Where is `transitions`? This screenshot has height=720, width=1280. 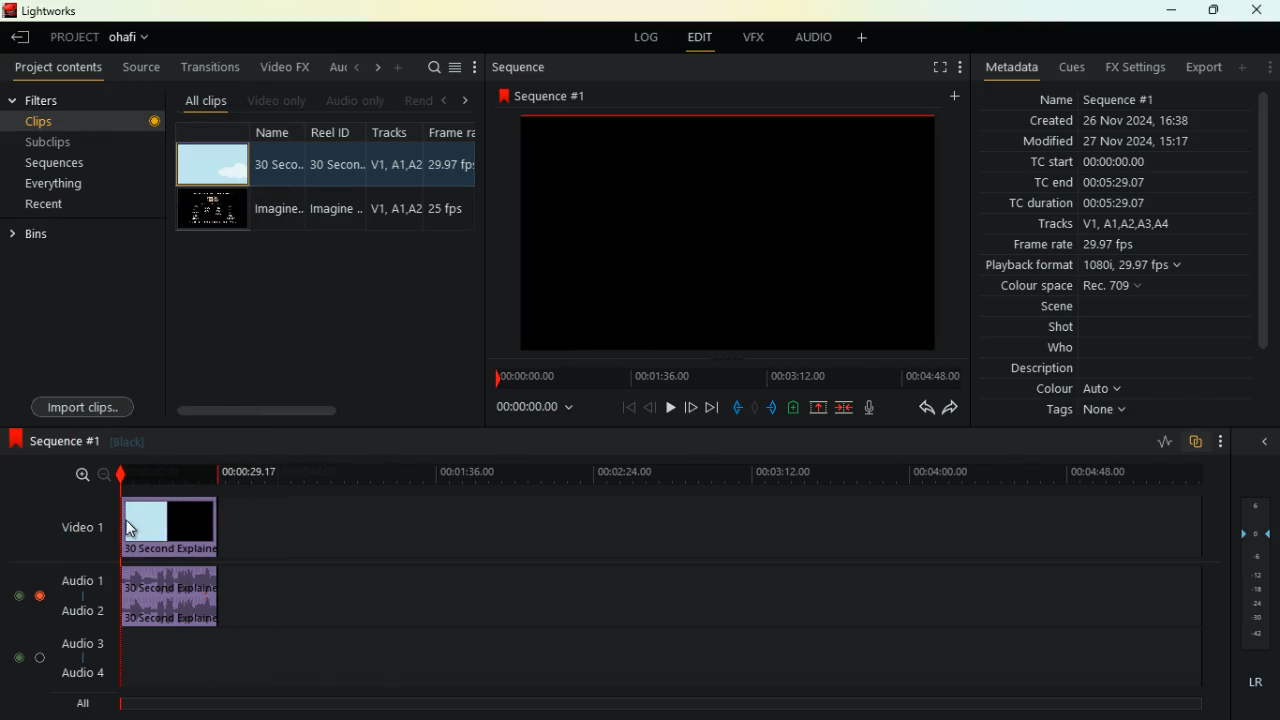
transitions is located at coordinates (213, 69).